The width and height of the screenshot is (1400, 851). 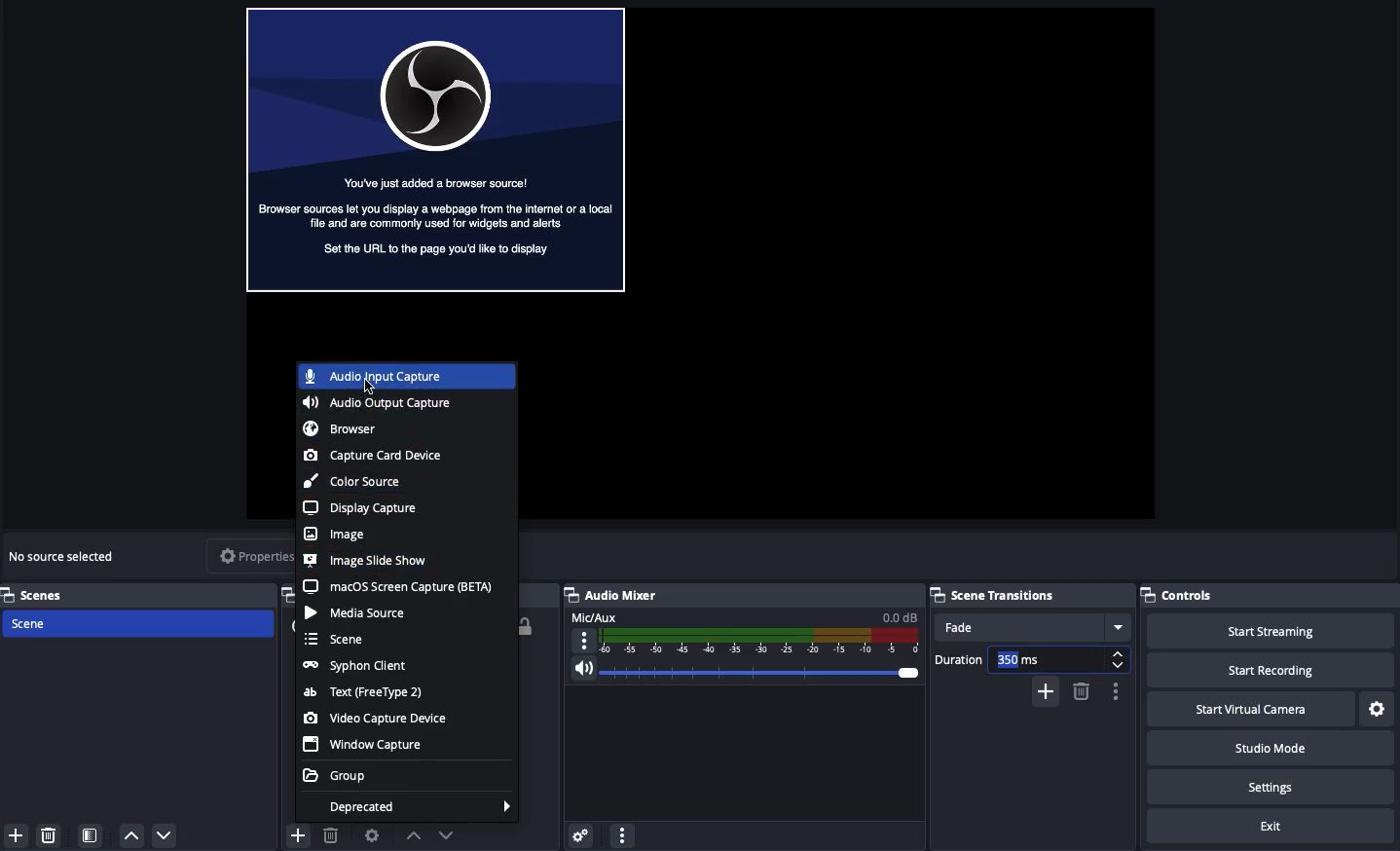 What do you see at coordinates (1117, 693) in the screenshot?
I see `Options` at bounding box center [1117, 693].